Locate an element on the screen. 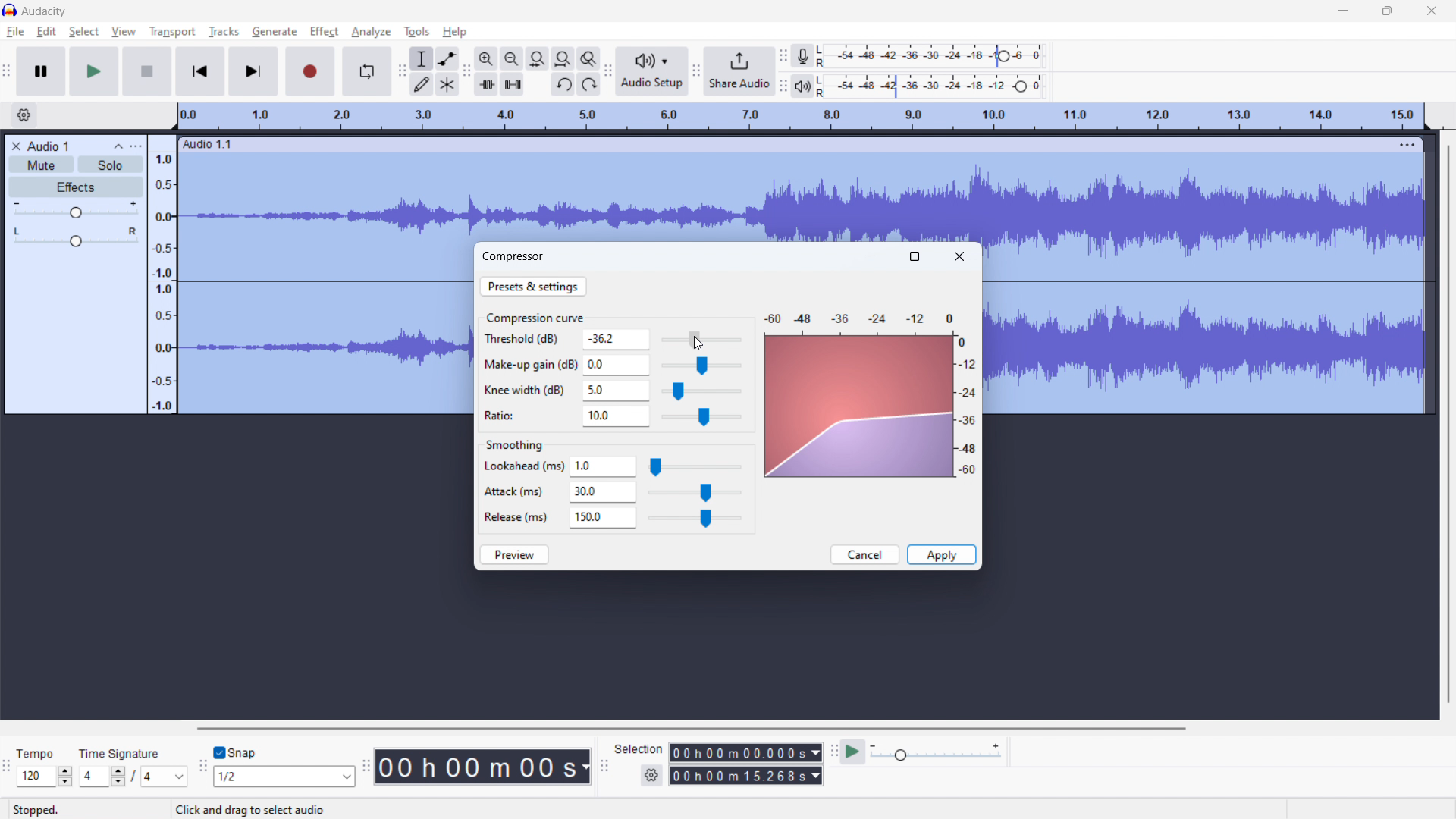 This screenshot has height=819, width=1456. view menu is located at coordinates (135, 146).